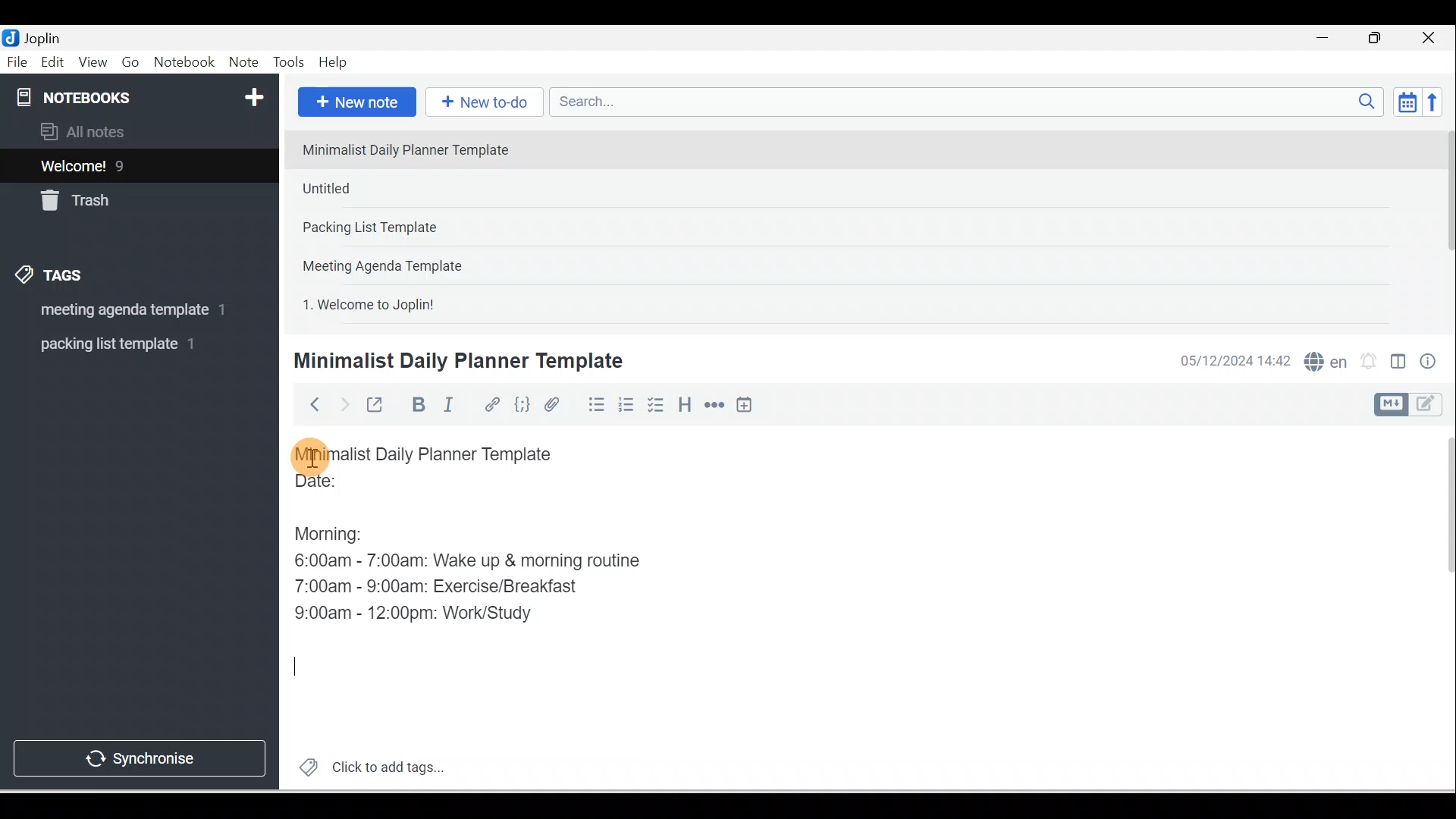 The image size is (1456, 819). I want to click on Toggle editor layout, so click(1414, 405).